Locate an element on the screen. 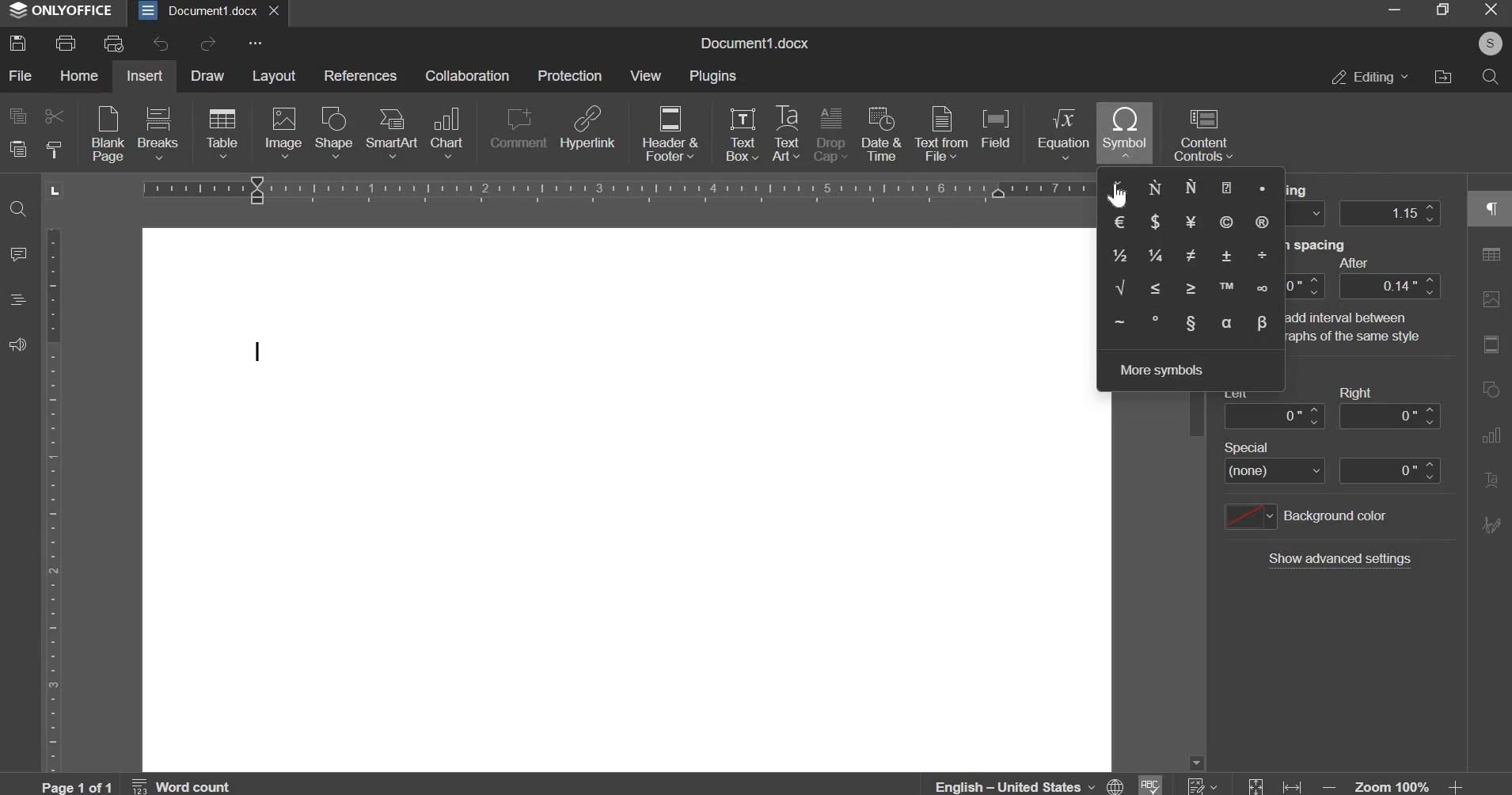 This screenshot has width=1512, height=795. header & footer is located at coordinates (671, 131).